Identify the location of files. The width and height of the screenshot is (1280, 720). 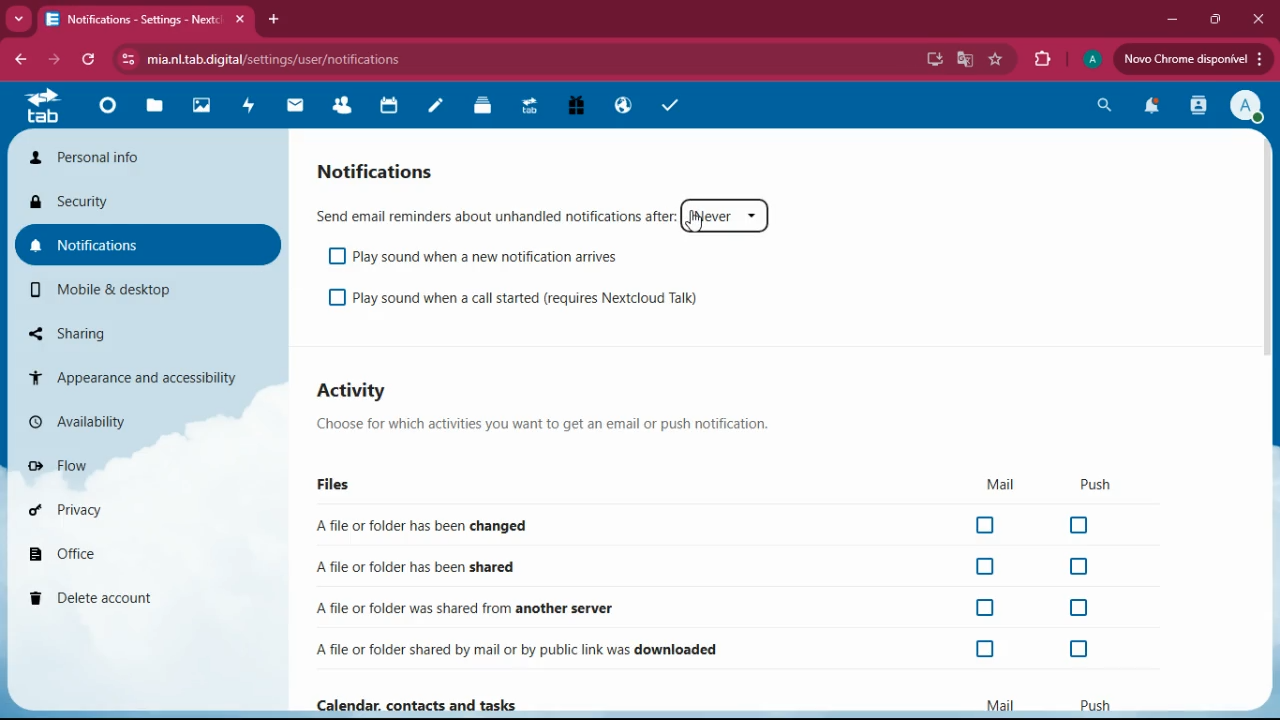
(362, 483).